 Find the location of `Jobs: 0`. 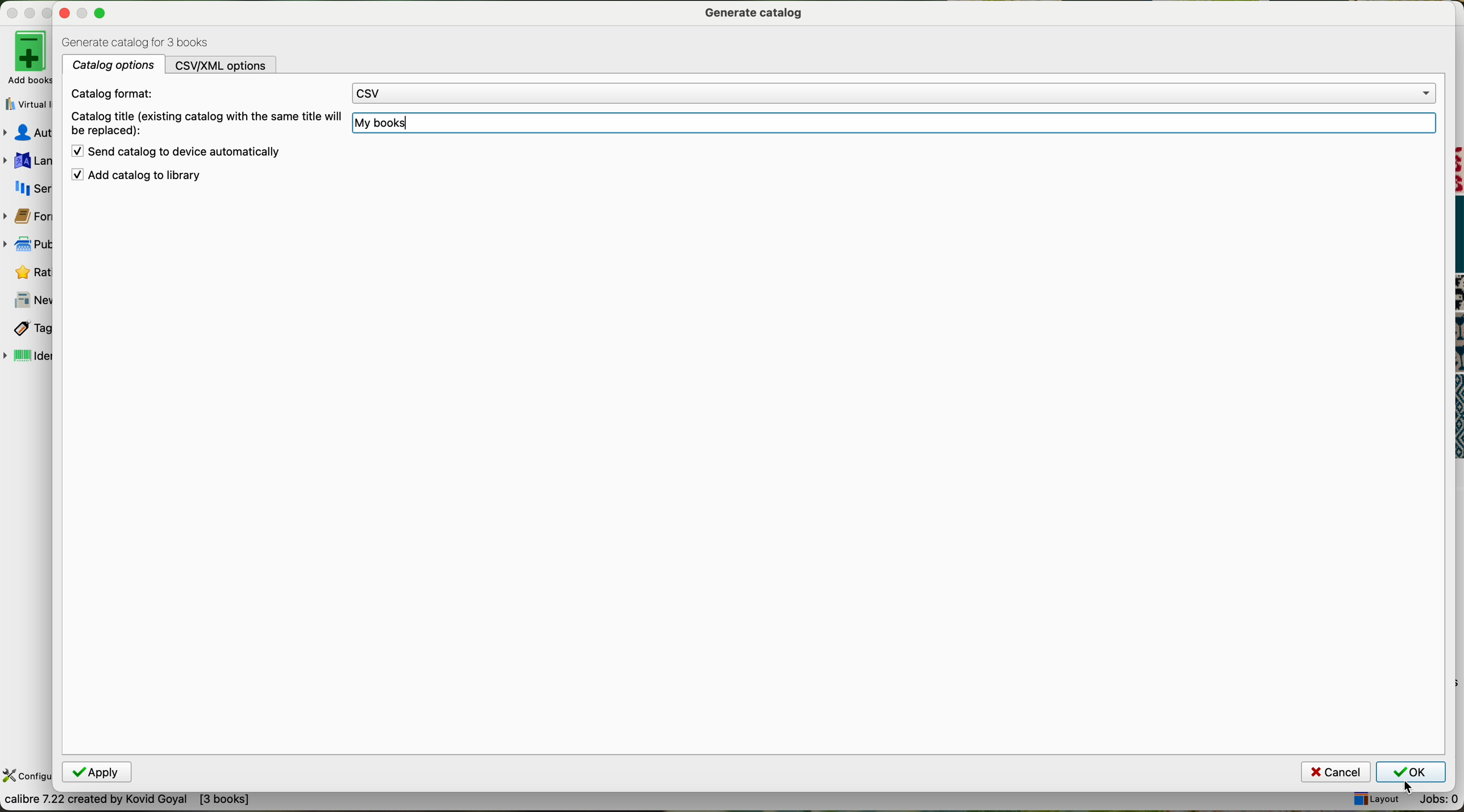

Jobs: 0 is located at coordinates (1440, 797).